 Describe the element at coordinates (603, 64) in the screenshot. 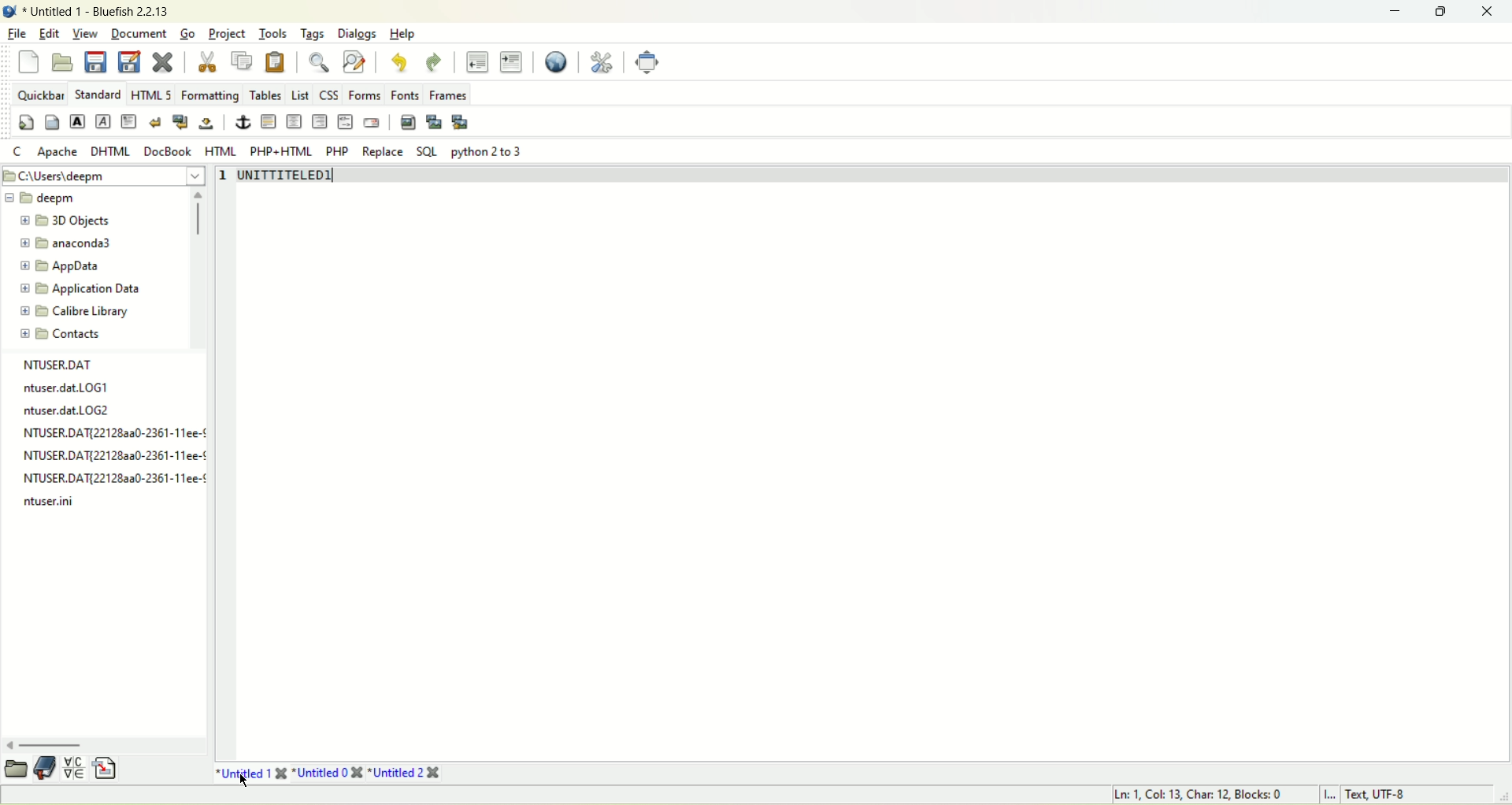

I see `edit preferences` at that location.